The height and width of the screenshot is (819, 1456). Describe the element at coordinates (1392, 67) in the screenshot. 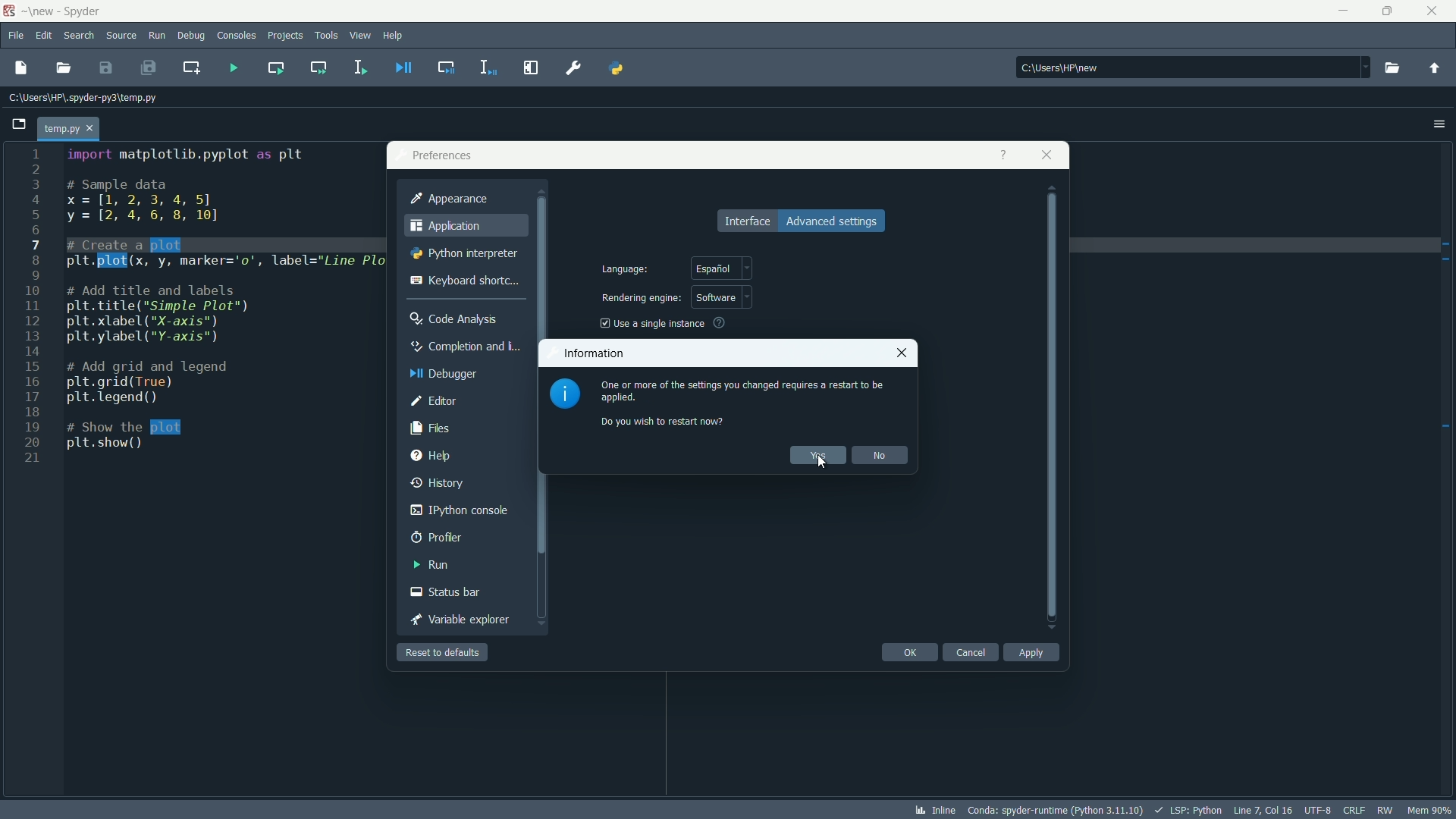

I see `browse directory` at that location.